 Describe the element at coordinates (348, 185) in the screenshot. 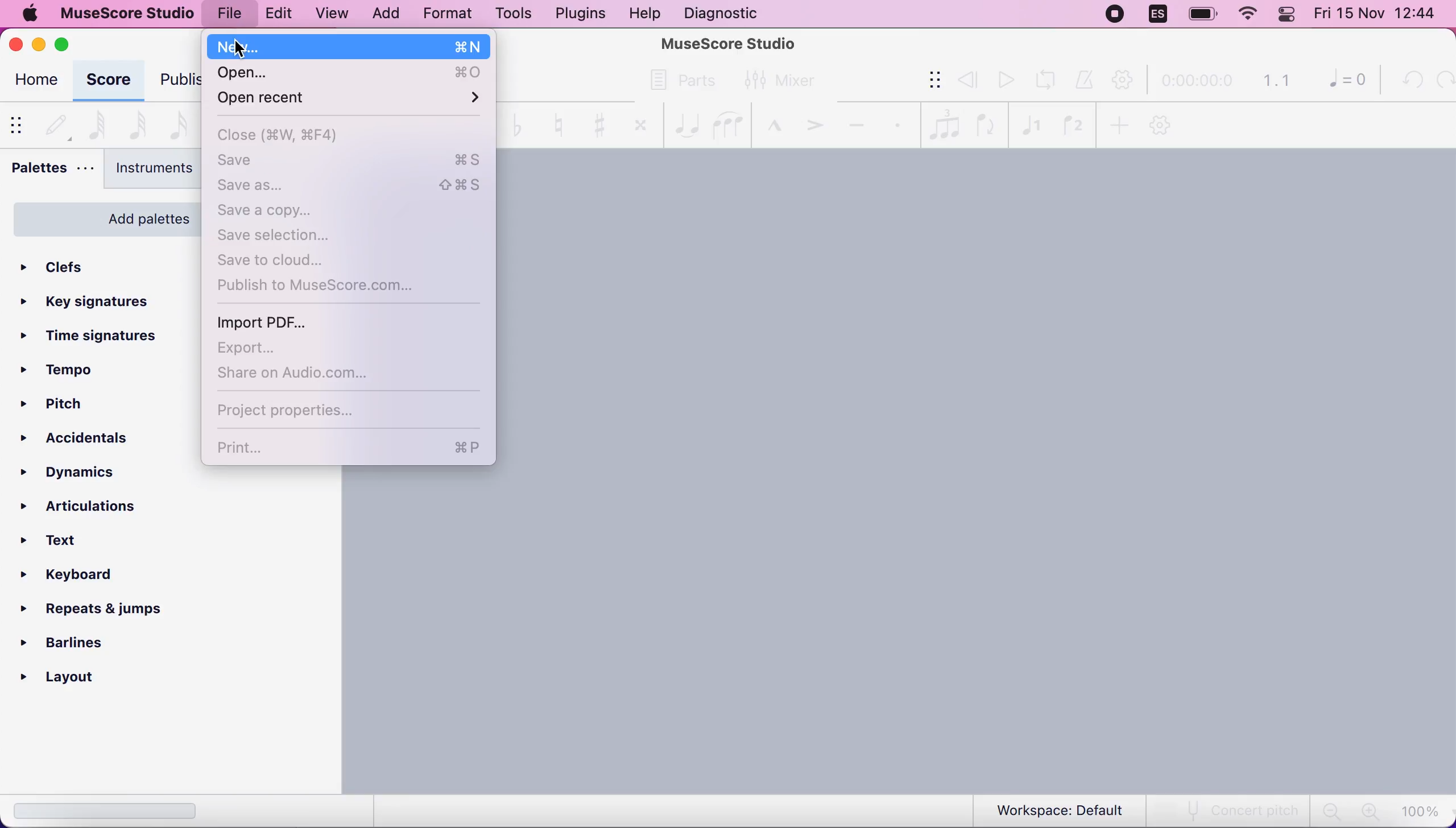

I see `save as` at that location.